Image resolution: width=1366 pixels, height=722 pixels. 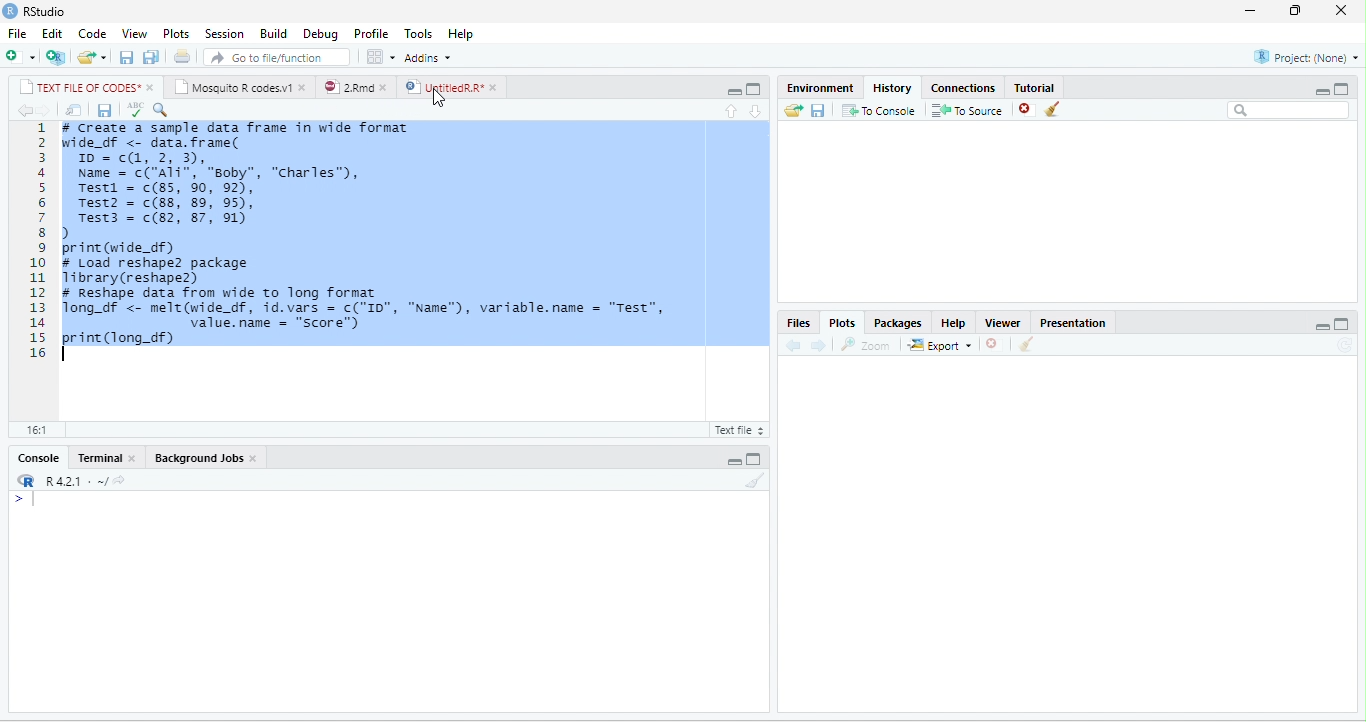 What do you see at coordinates (276, 57) in the screenshot?
I see `search file` at bounding box center [276, 57].